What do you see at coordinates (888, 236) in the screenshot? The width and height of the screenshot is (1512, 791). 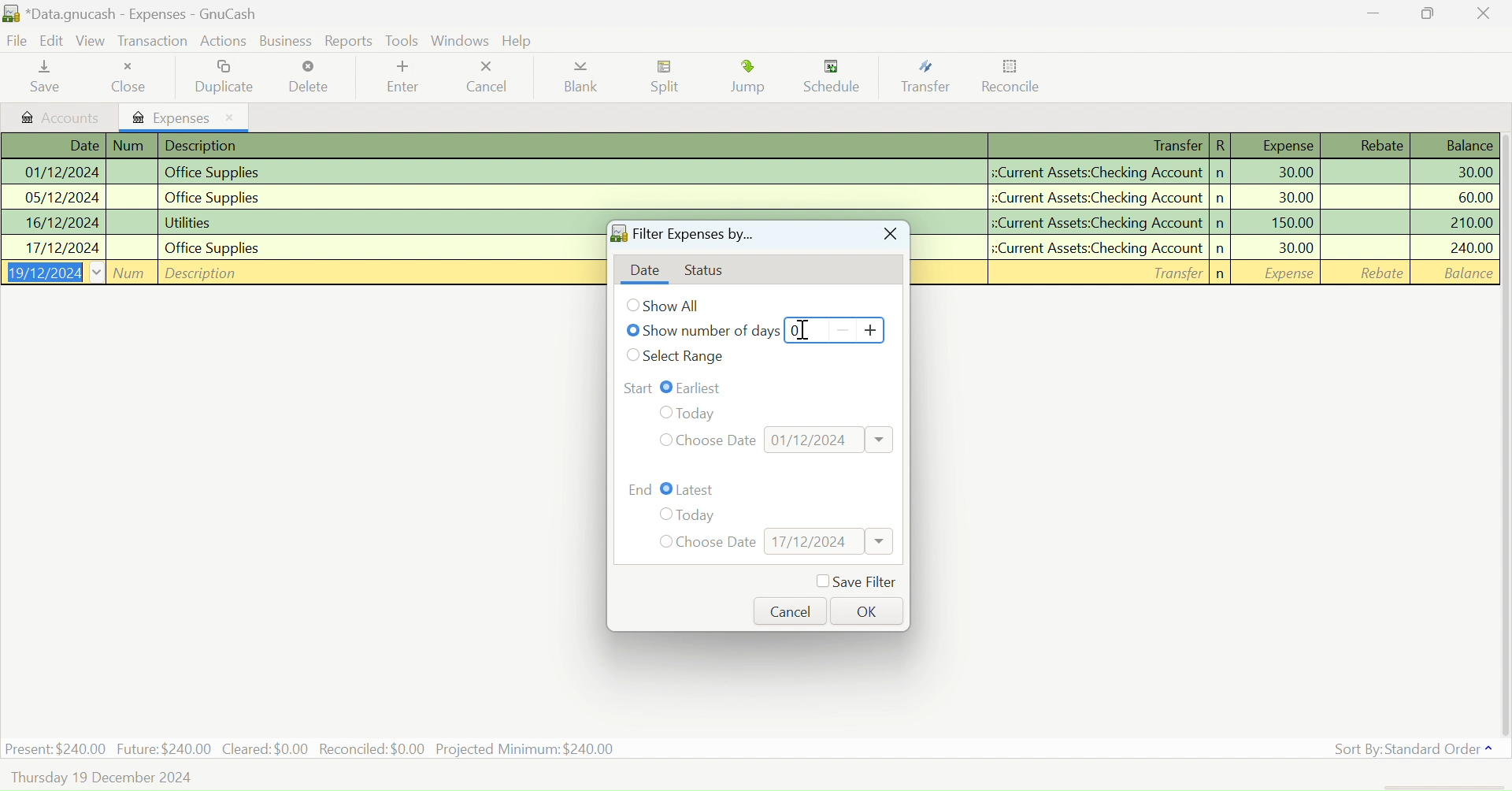 I see `Close Window` at bounding box center [888, 236].